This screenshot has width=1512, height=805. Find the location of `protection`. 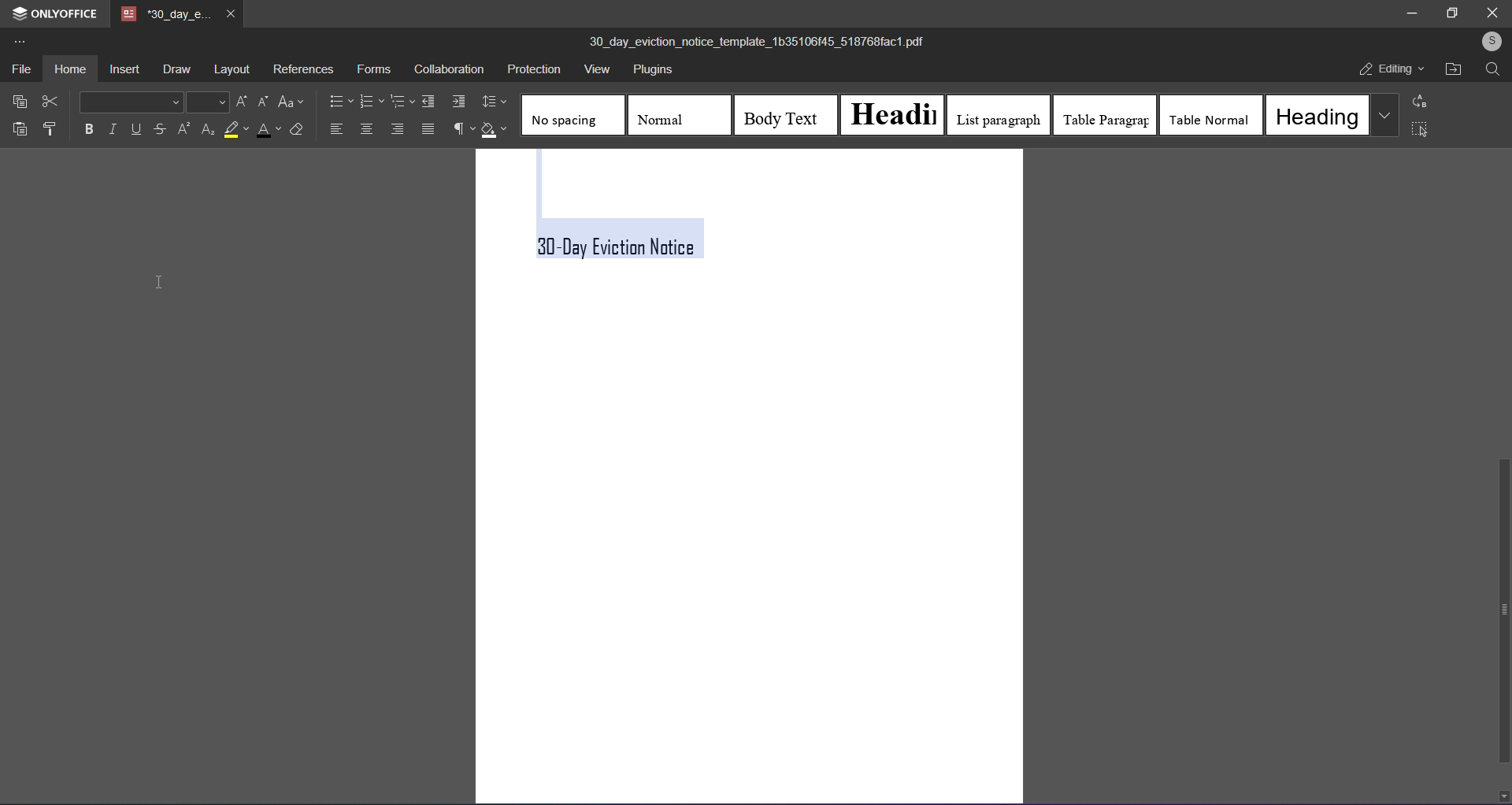

protection is located at coordinates (532, 68).